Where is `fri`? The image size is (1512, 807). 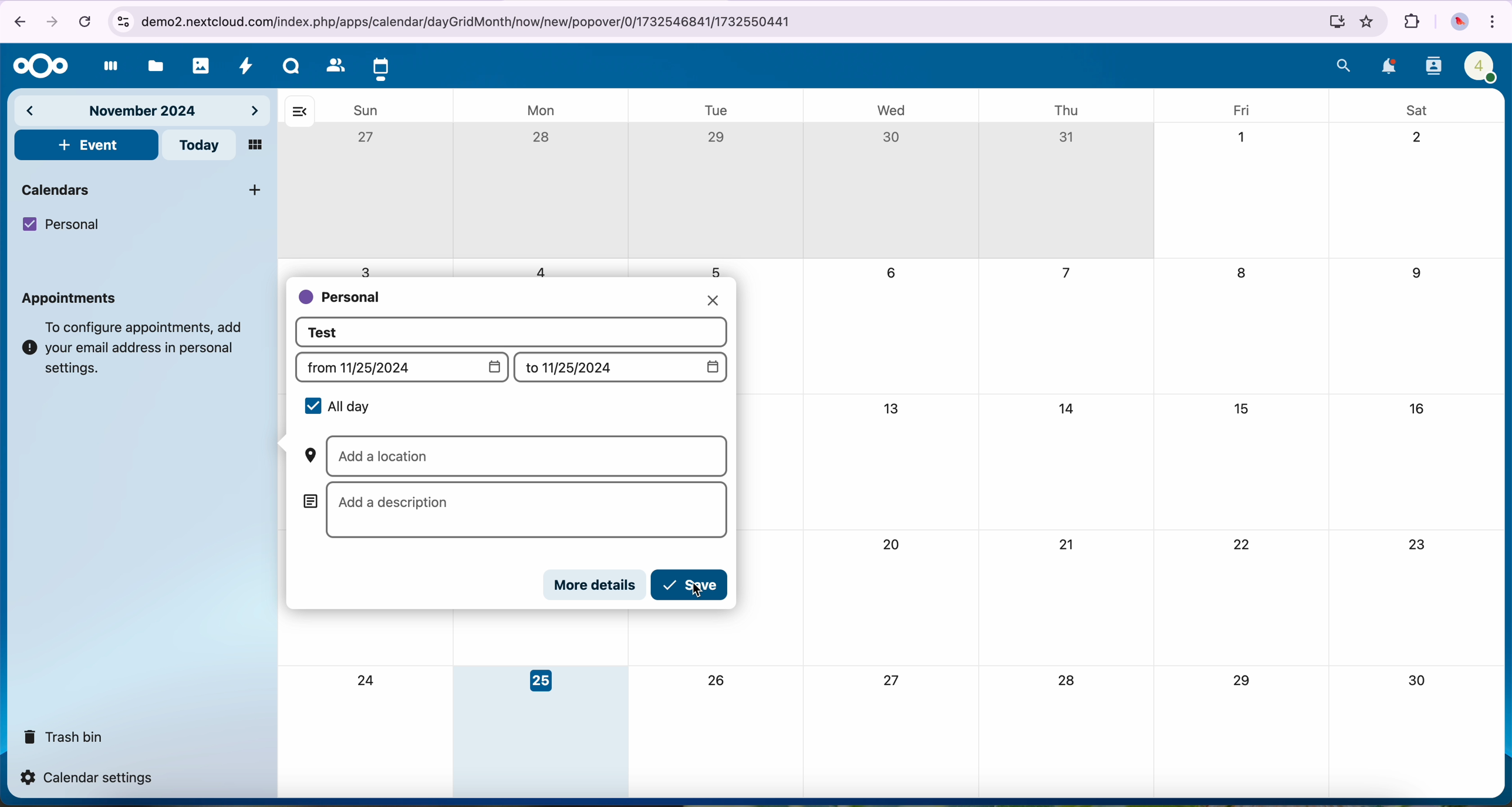
fri is located at coordinates (1238, 108).